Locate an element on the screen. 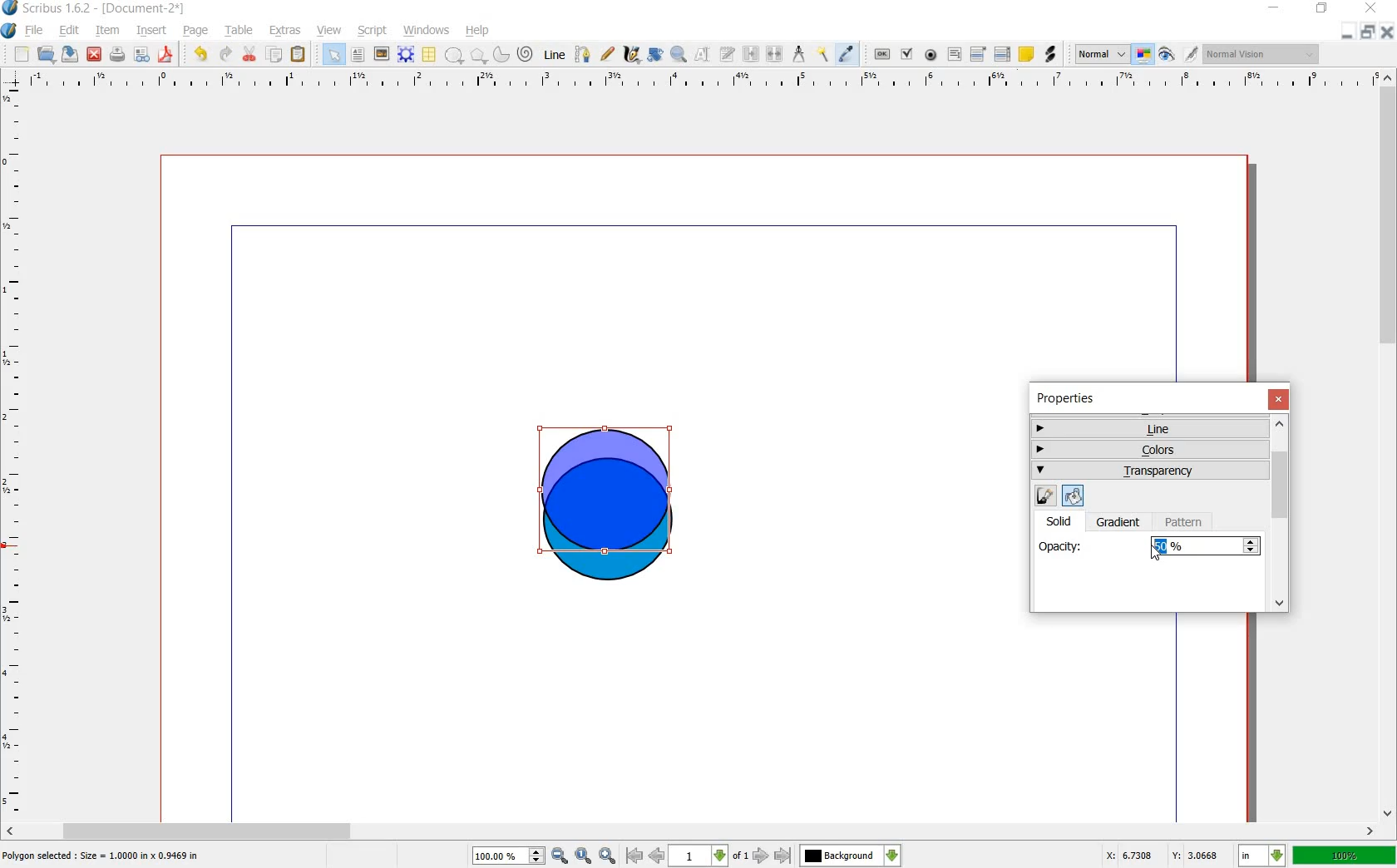 The height and width of the screenshot is (868, 1397). Increase or decrease opacity is located at coordinates (1251, 547).